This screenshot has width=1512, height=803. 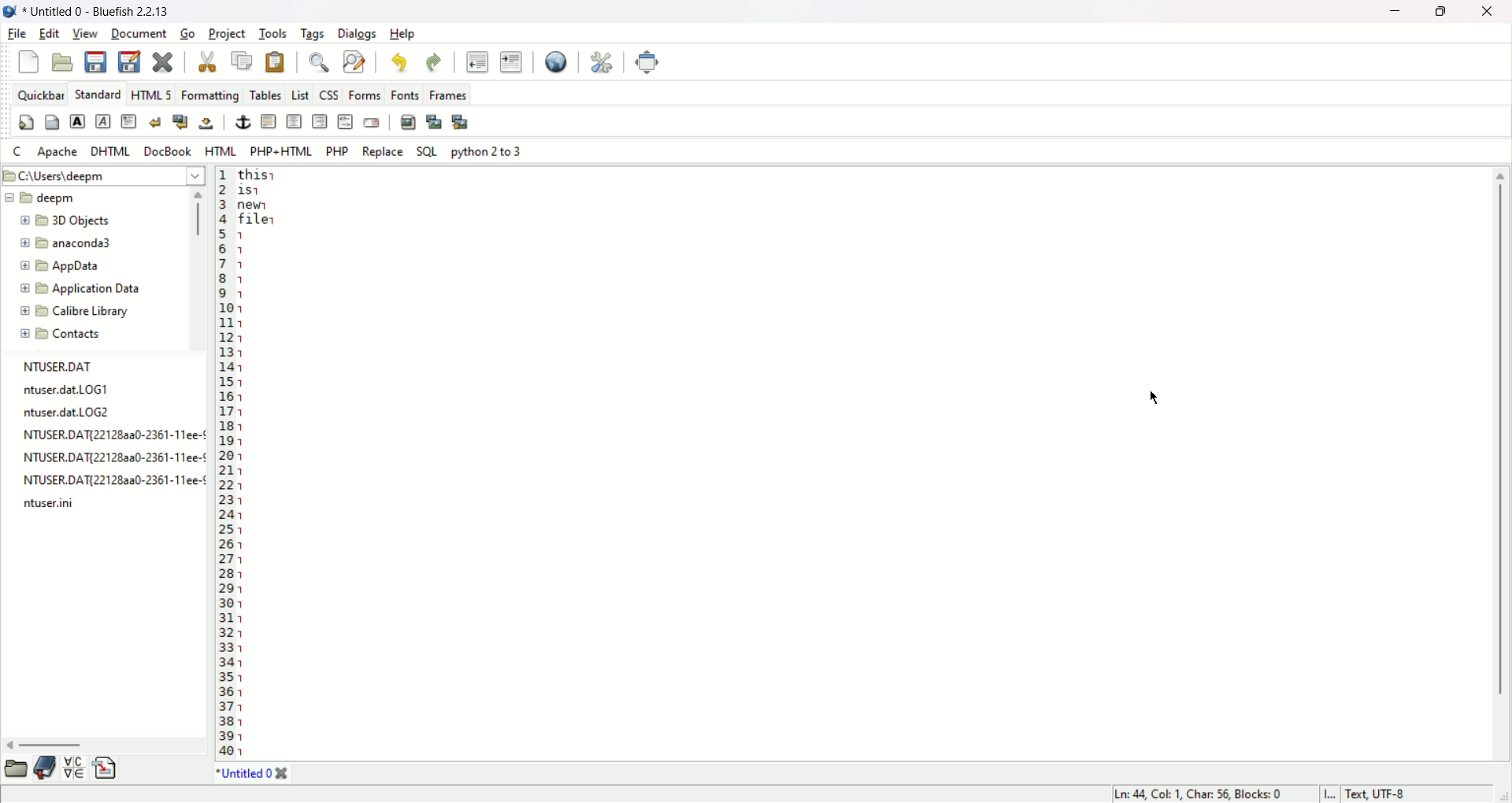 What do you see at coordinates (273, 34) in the screenshot?
I see `tools` at bounding box center [273, 34].